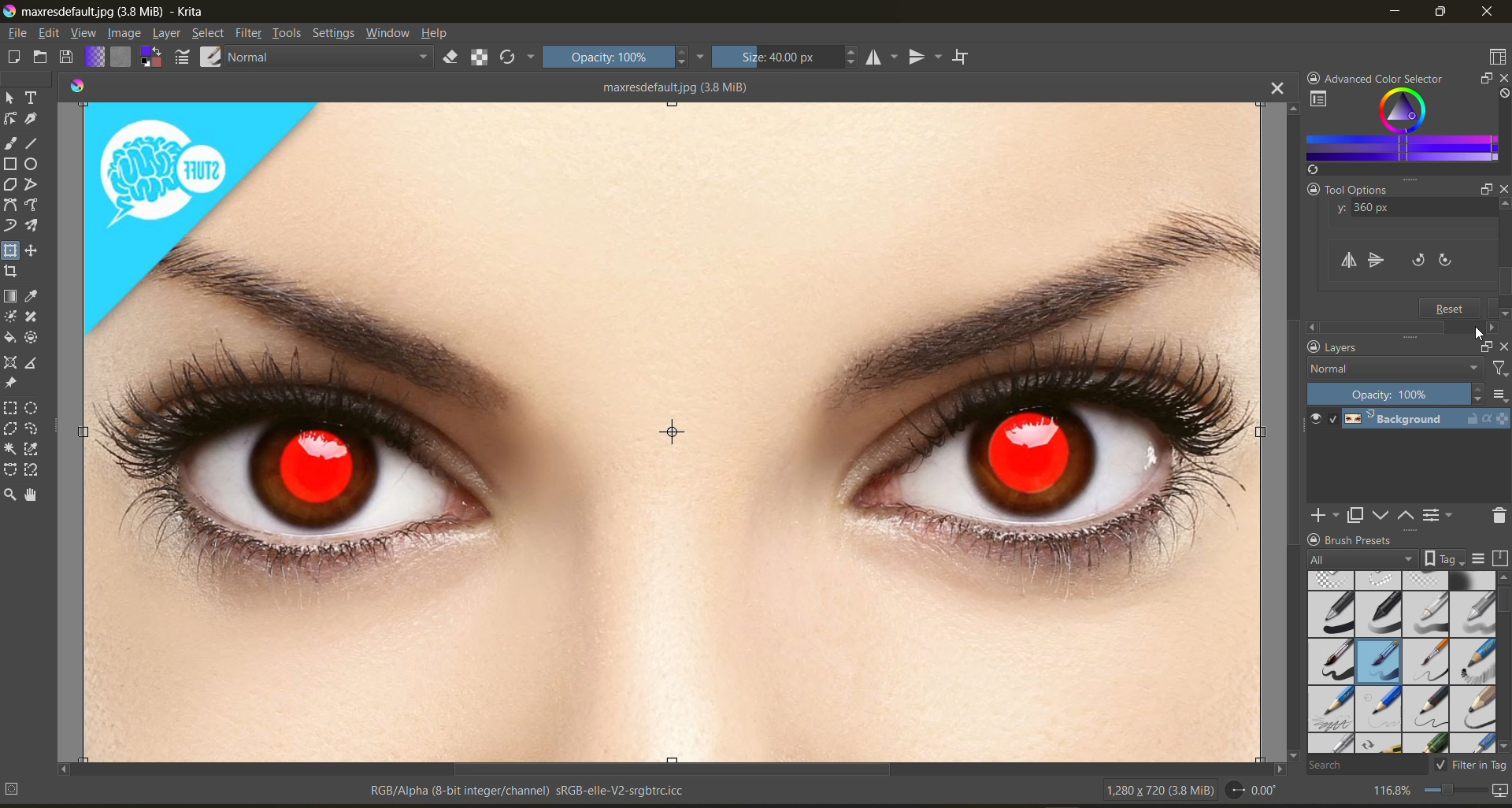 Image resolution: width=1512 pixels, height=808 pixels. What do you see at coordinates (11, 250) in the screenshot?
I see `tool` at bounding box center [11, 250].